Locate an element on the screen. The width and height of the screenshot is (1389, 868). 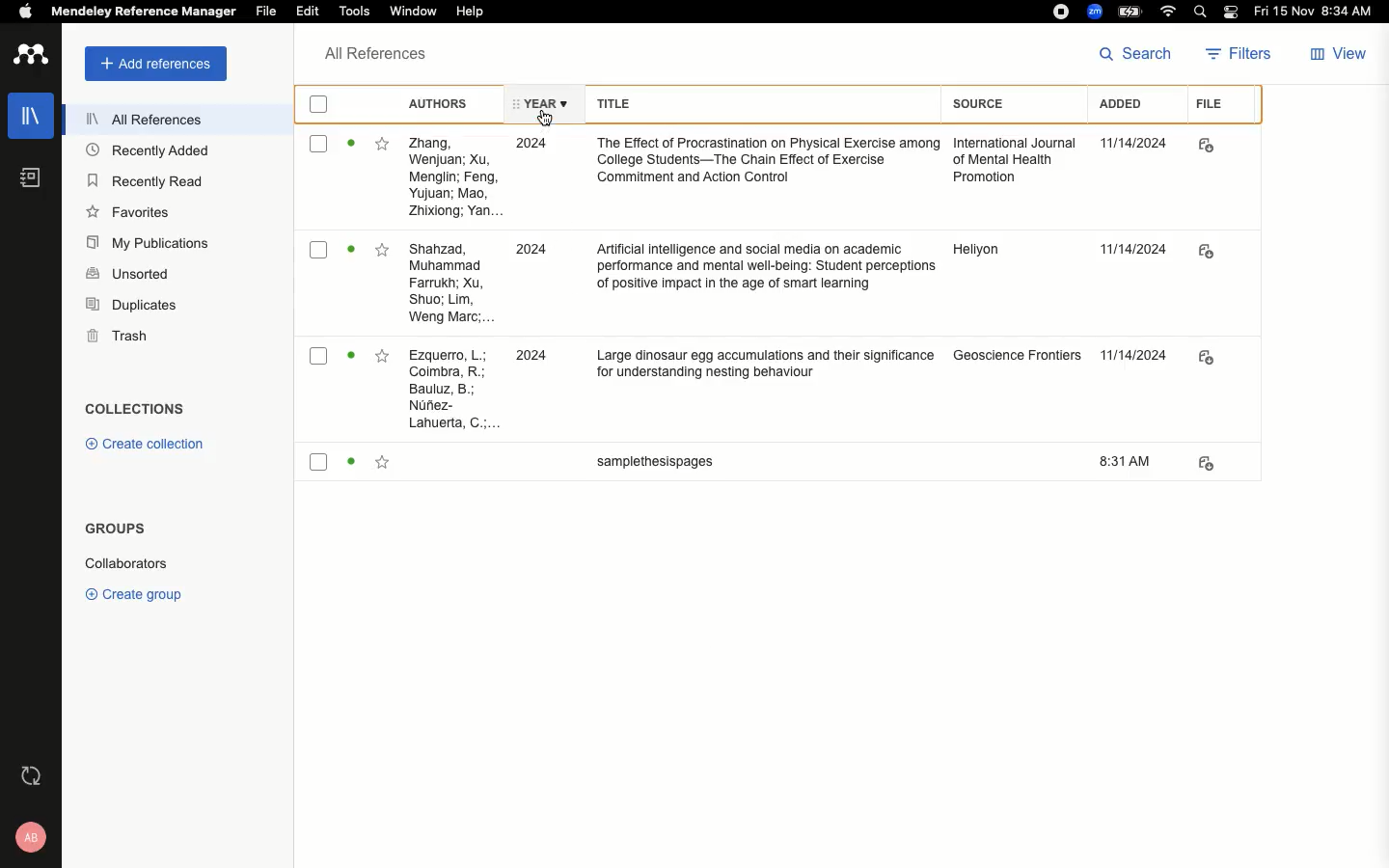
authors label is located at coordinates (442, 103).